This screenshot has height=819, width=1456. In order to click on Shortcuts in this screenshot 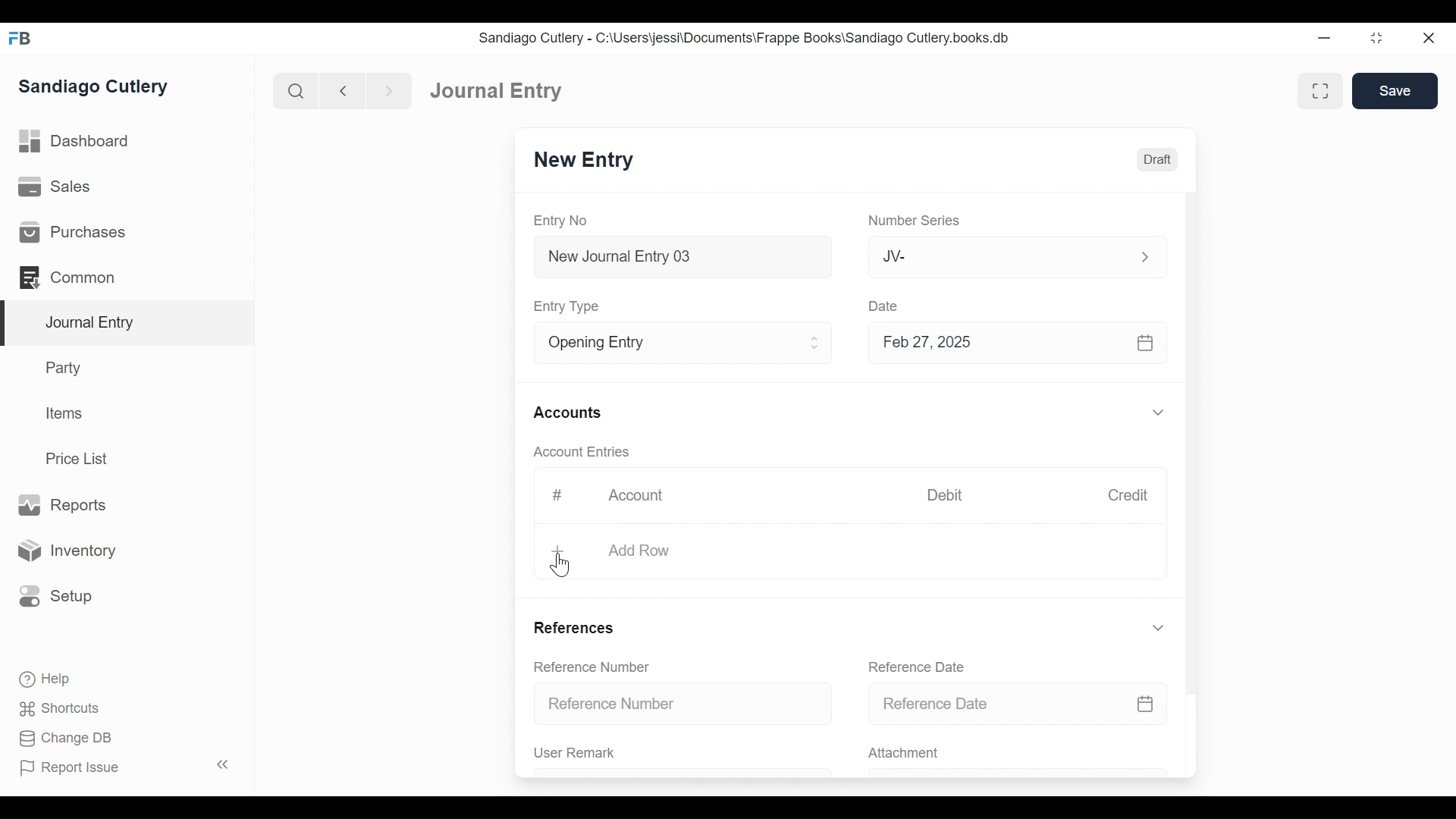, I will do `click(61, 711)`.